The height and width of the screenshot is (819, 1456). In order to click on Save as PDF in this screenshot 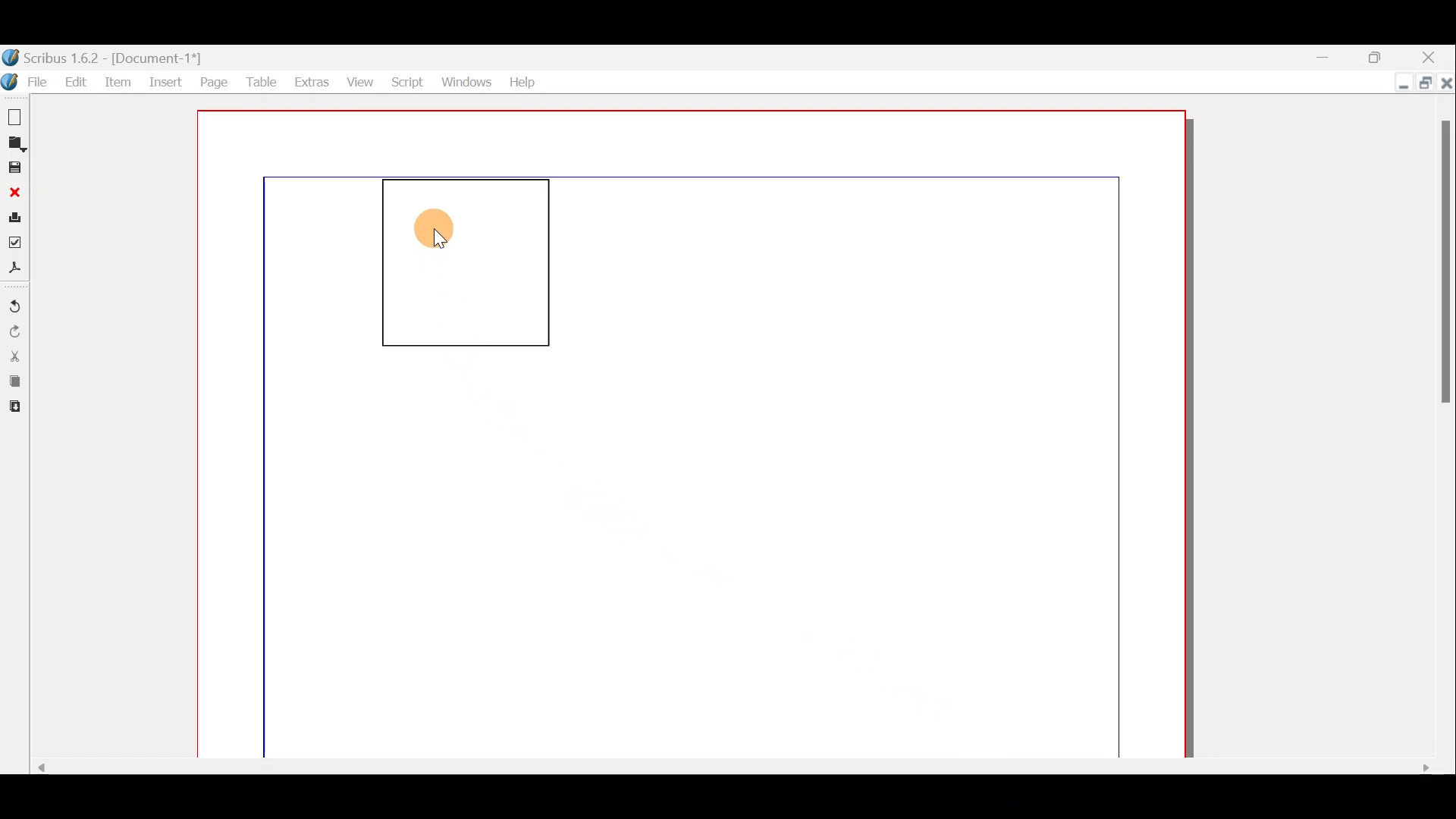, I will do `click(14, 270)`.